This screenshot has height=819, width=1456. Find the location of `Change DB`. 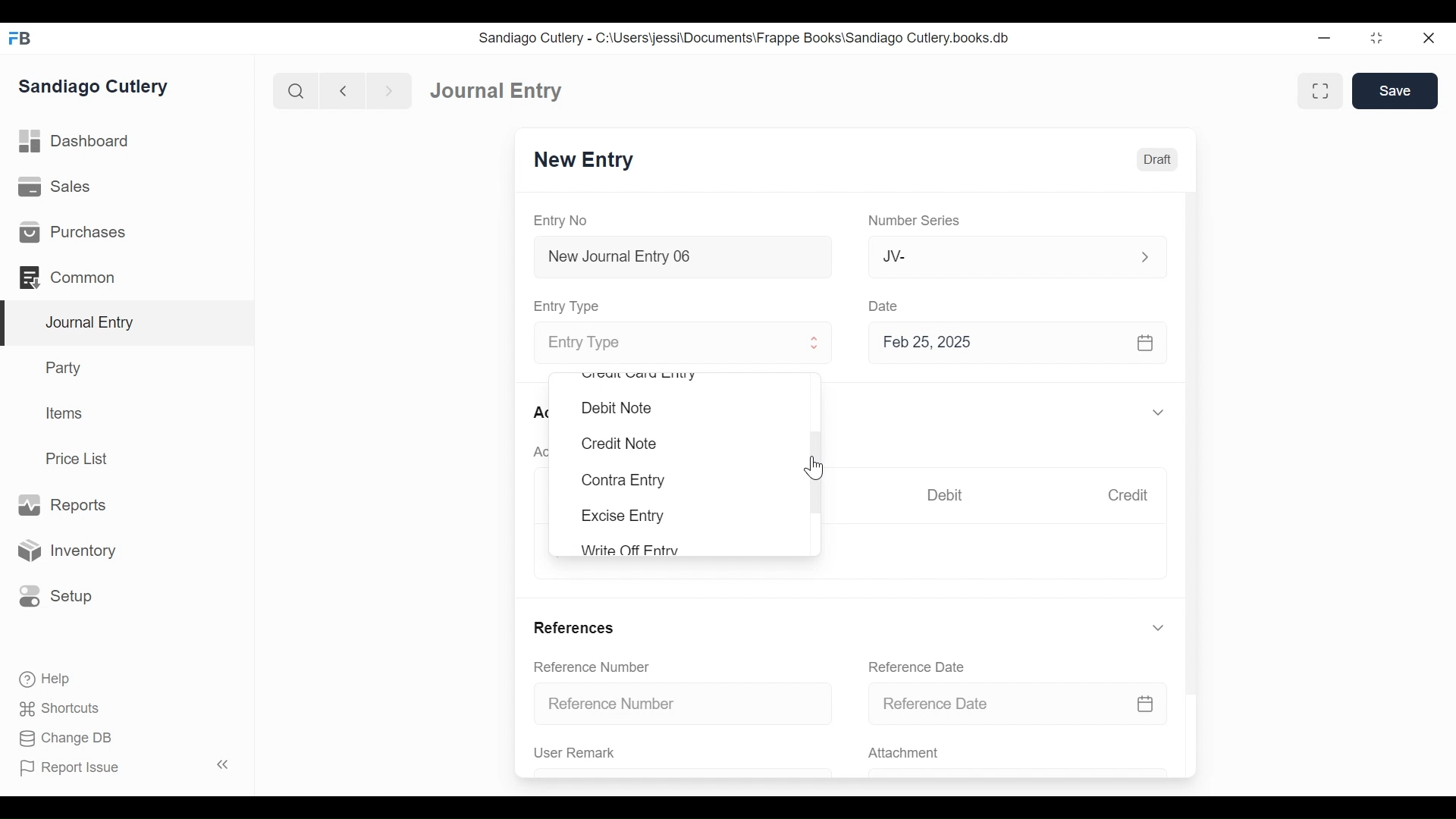

Change DB is located at coordinates (68, 740).